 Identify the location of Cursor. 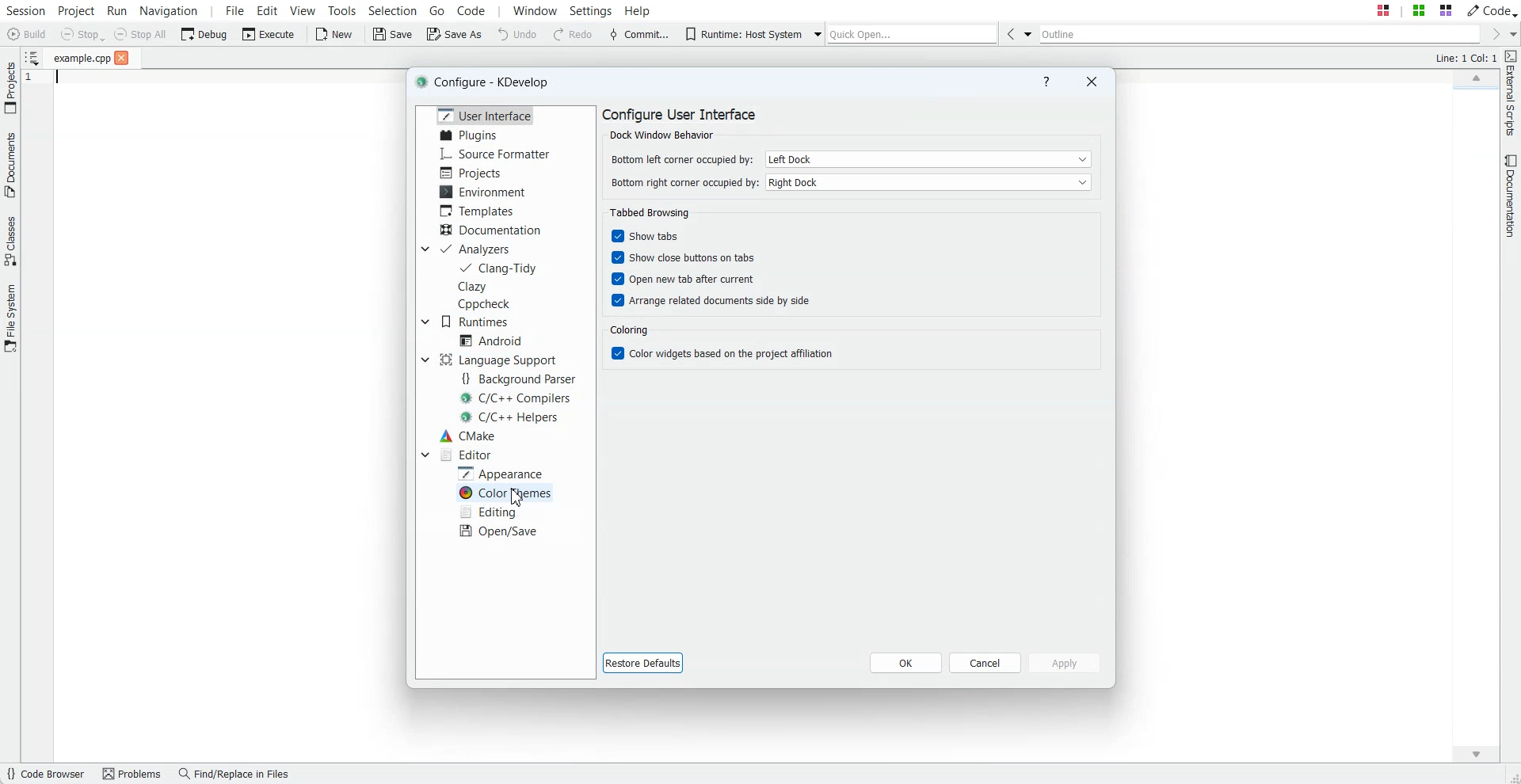
(516, 497).